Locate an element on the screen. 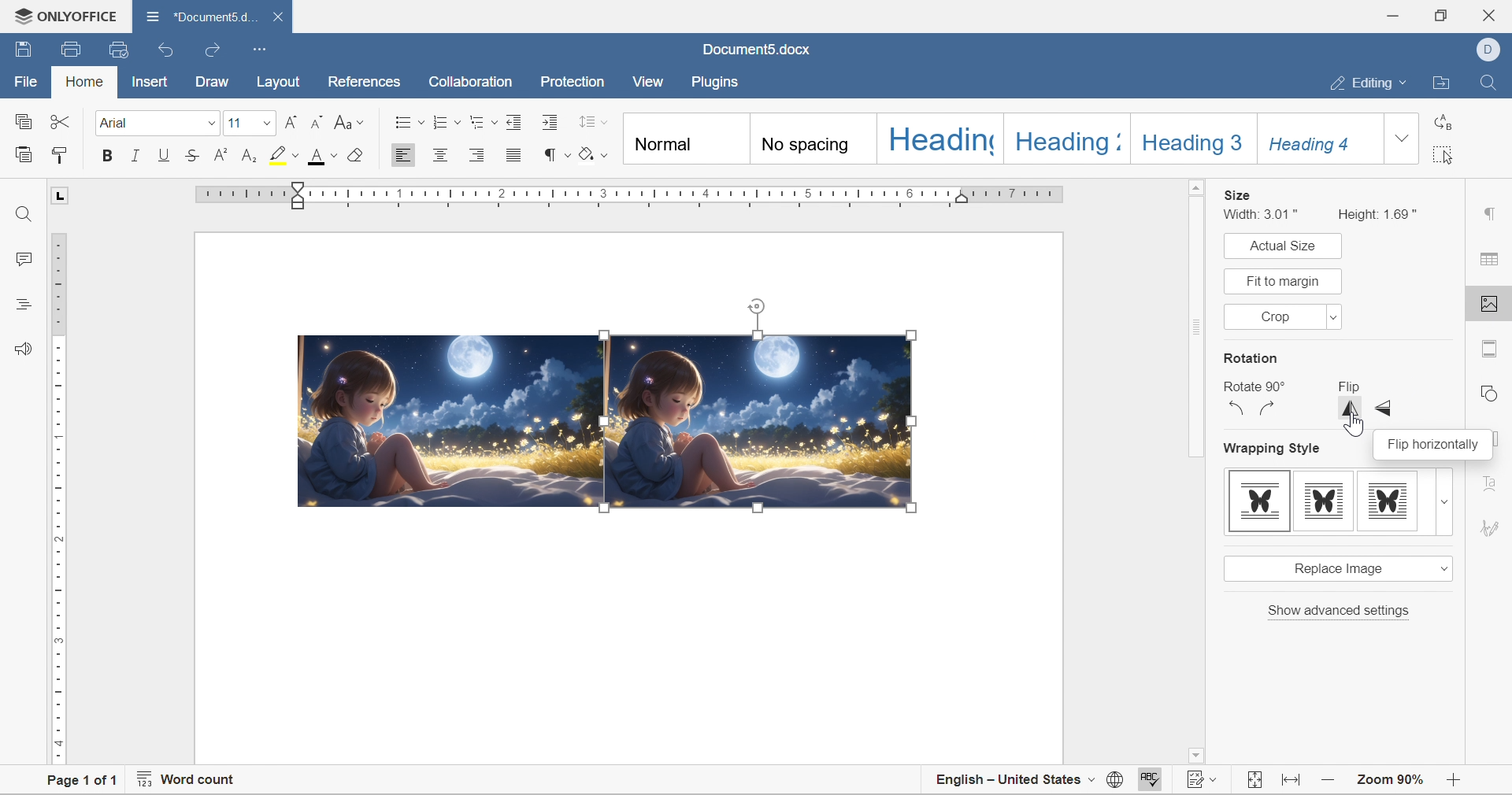 Image resolution: width=1512 pixels, height=795 pixels. customize quick access toolbar is located at coordinates (261, 50).